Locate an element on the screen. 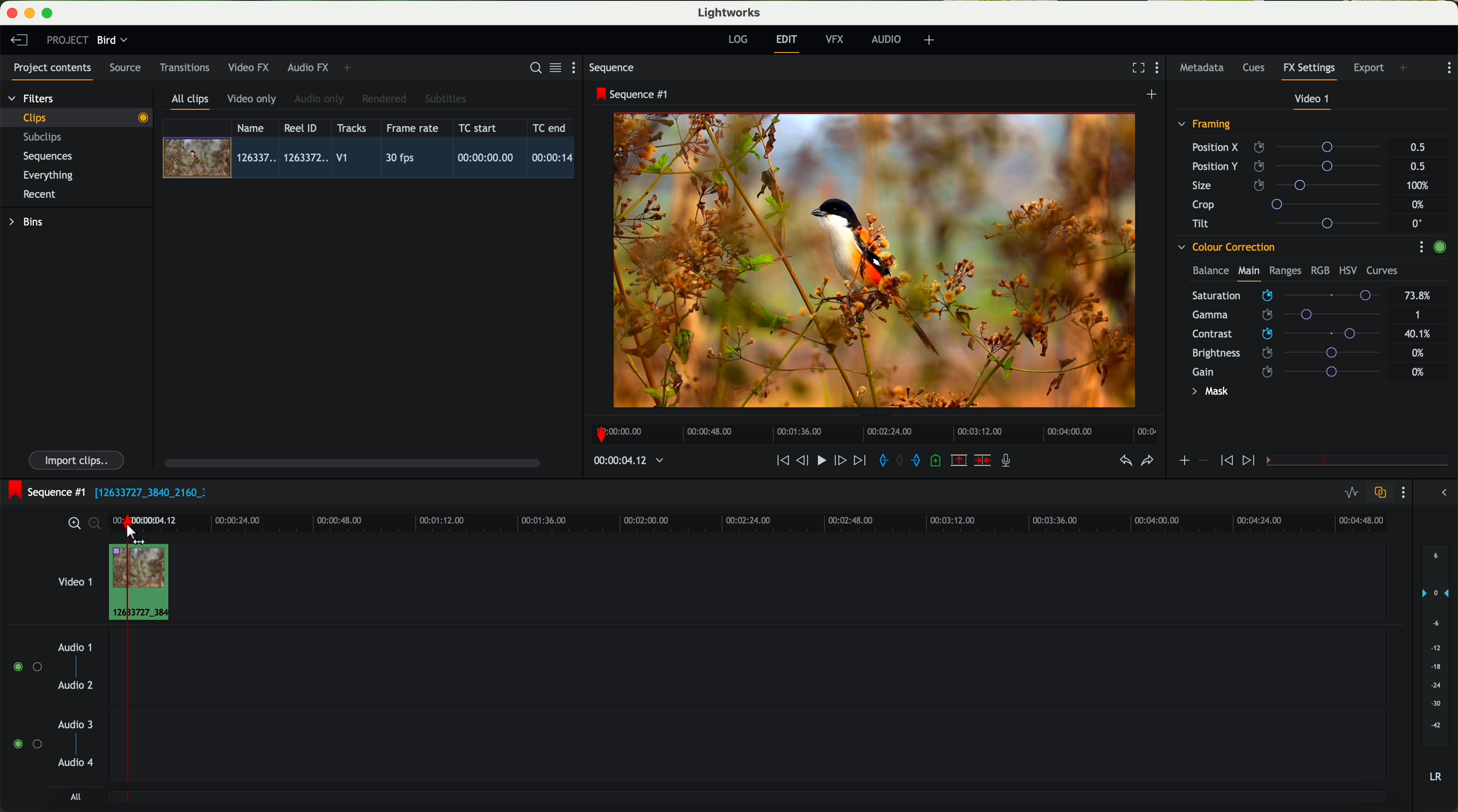 Image resolution: width=1458 pixels, height=812 pixels. zoom in is located at coordinates (72, 524).